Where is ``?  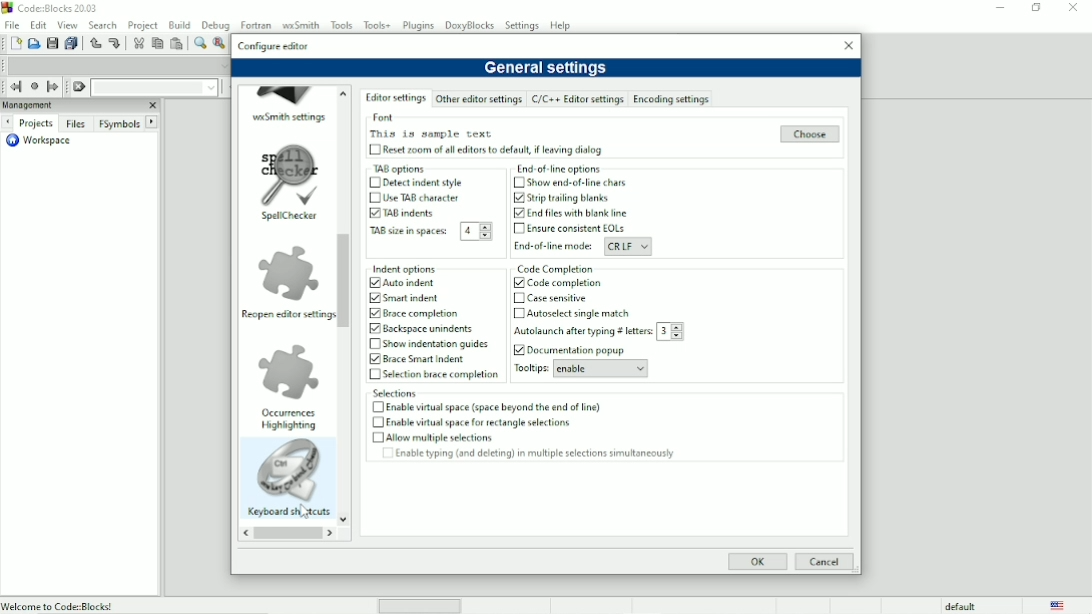  is located at coordinates (372, 283).